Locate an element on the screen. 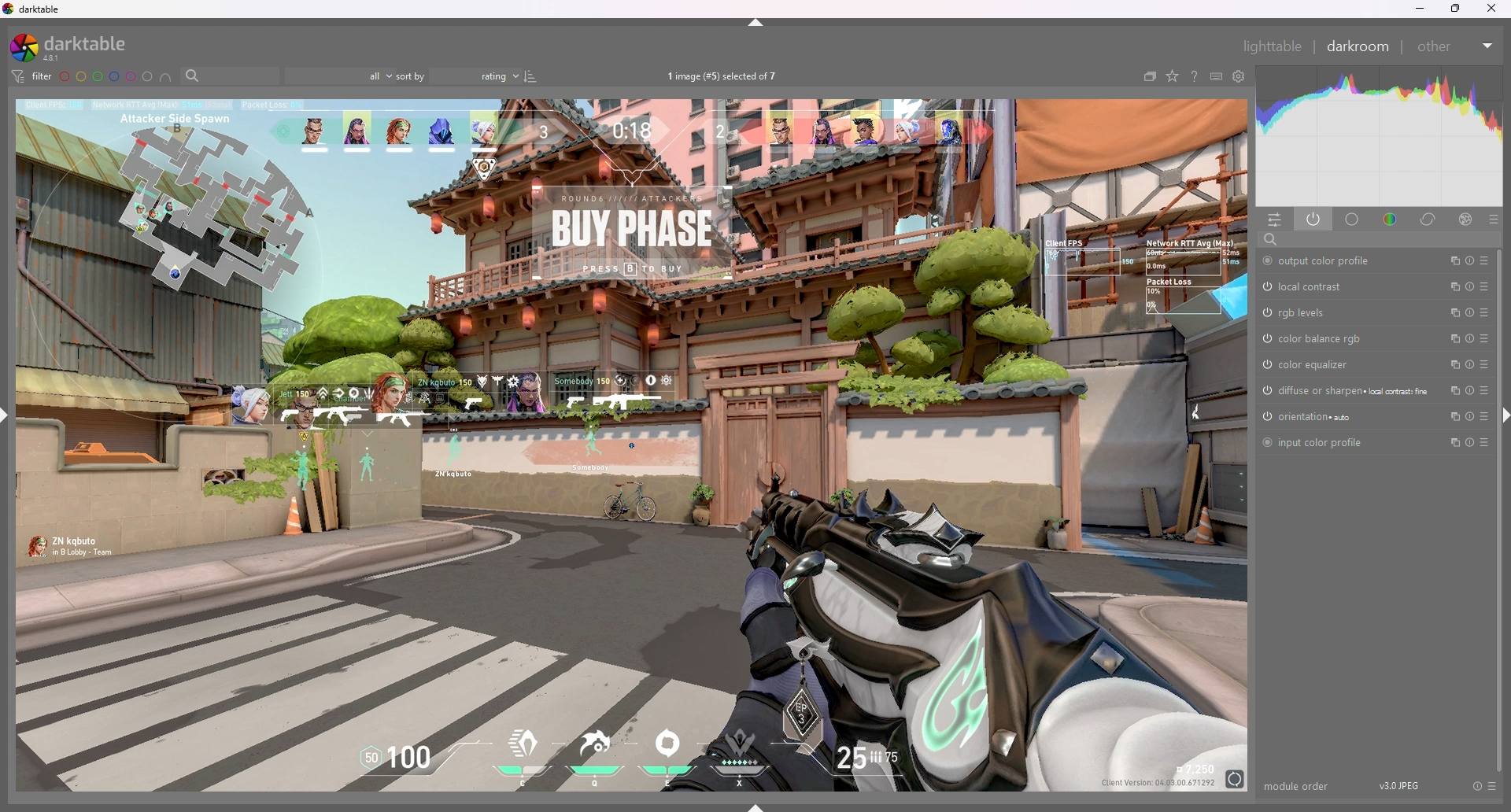  show active modules is located at coordinates (1314, 219).